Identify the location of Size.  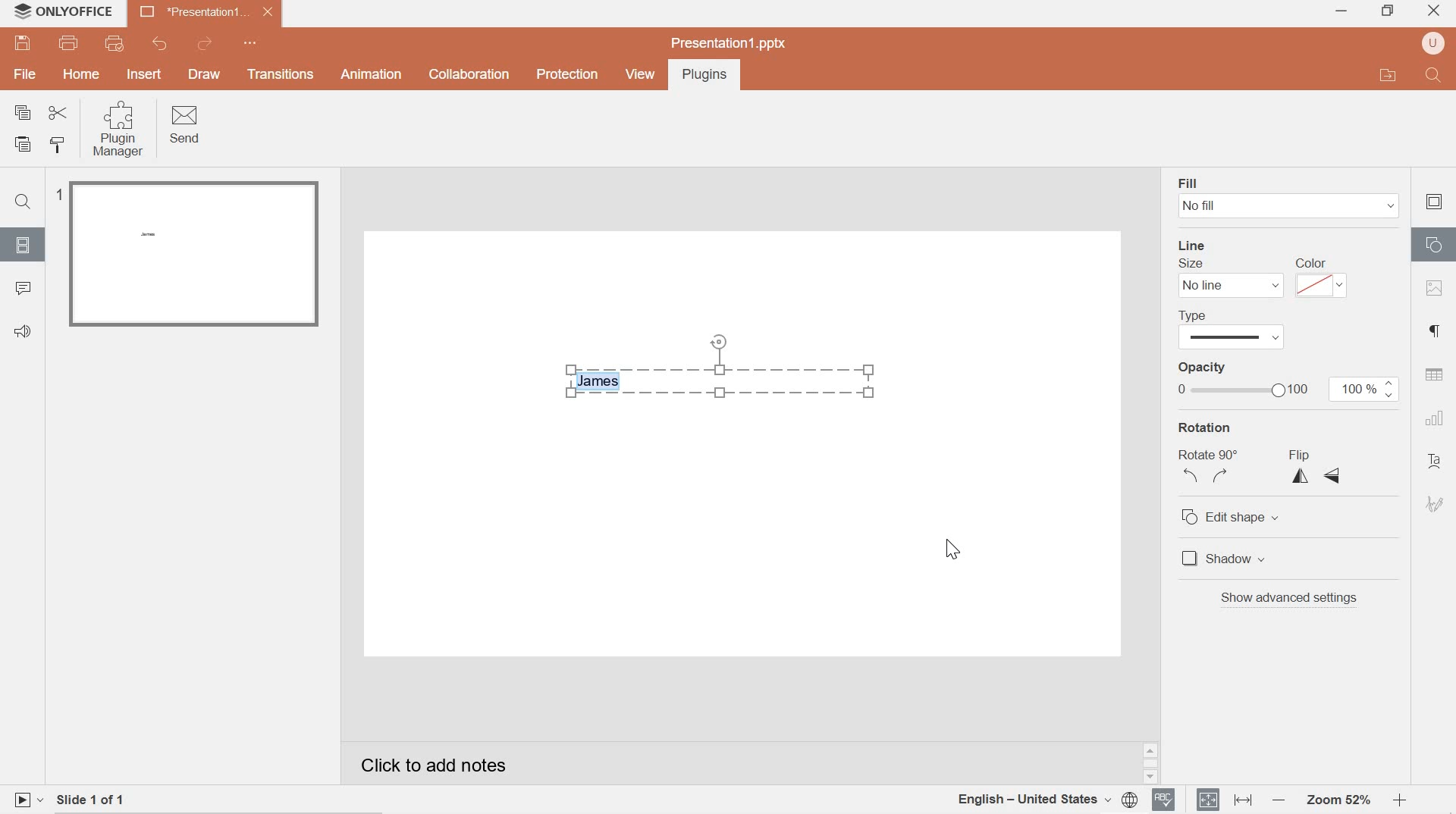
(1191, 264).